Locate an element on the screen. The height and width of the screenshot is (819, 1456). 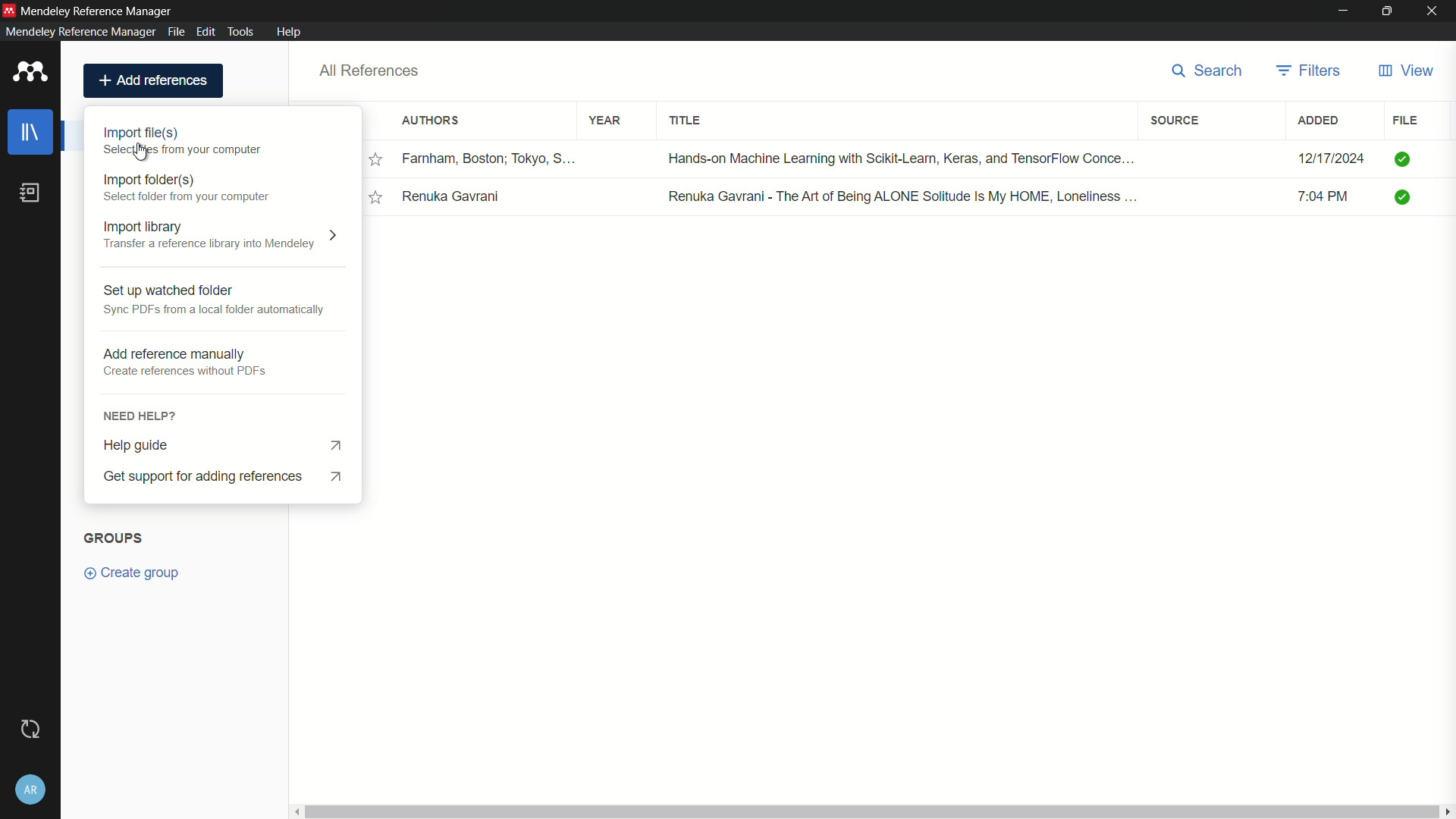
file is located at coordinates (177, 31).